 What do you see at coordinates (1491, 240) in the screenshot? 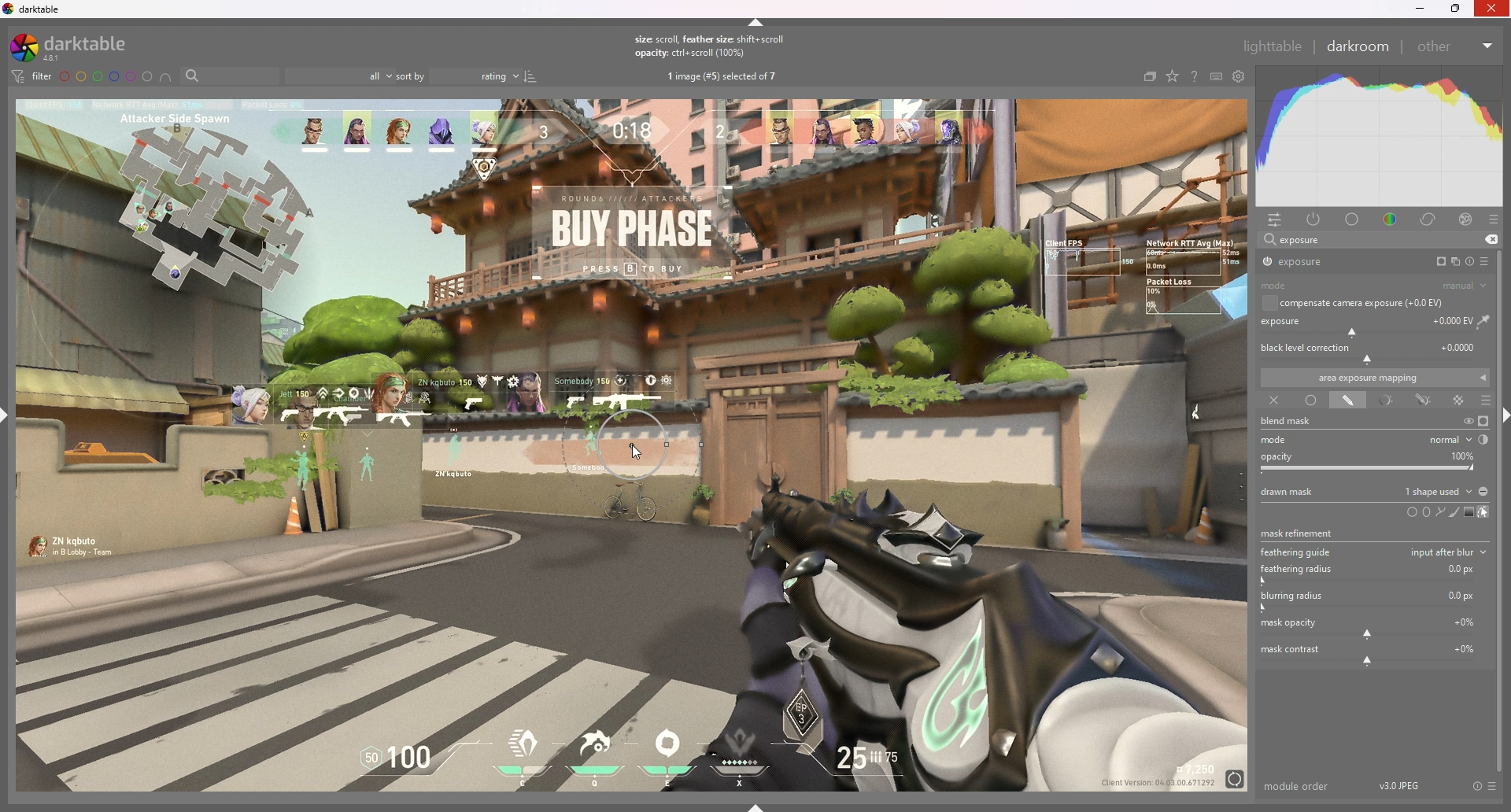
I see `remove` at bounding box center [1491, 240].